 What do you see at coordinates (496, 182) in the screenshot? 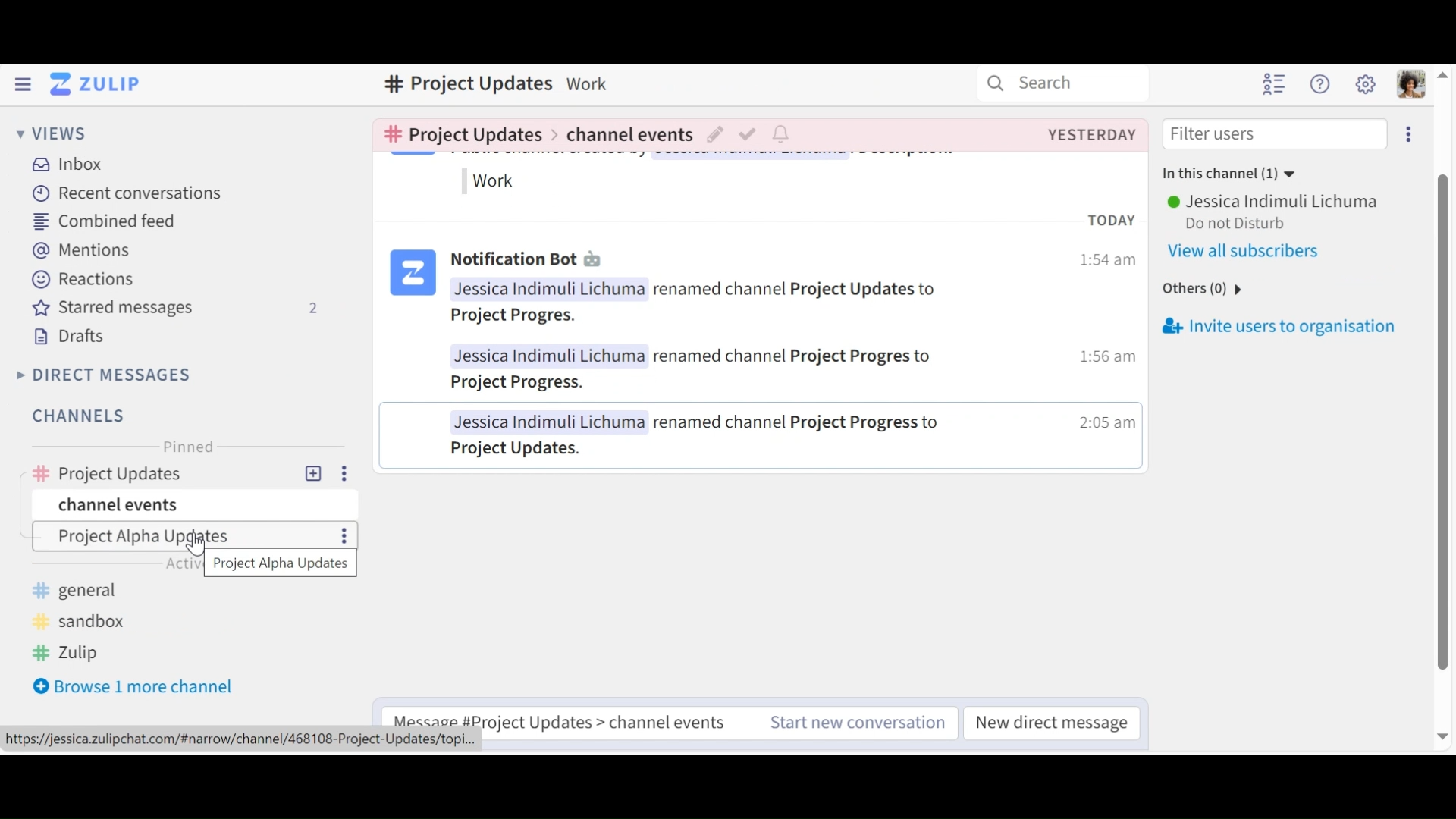
I see `work` at bounding box center [496, 182].